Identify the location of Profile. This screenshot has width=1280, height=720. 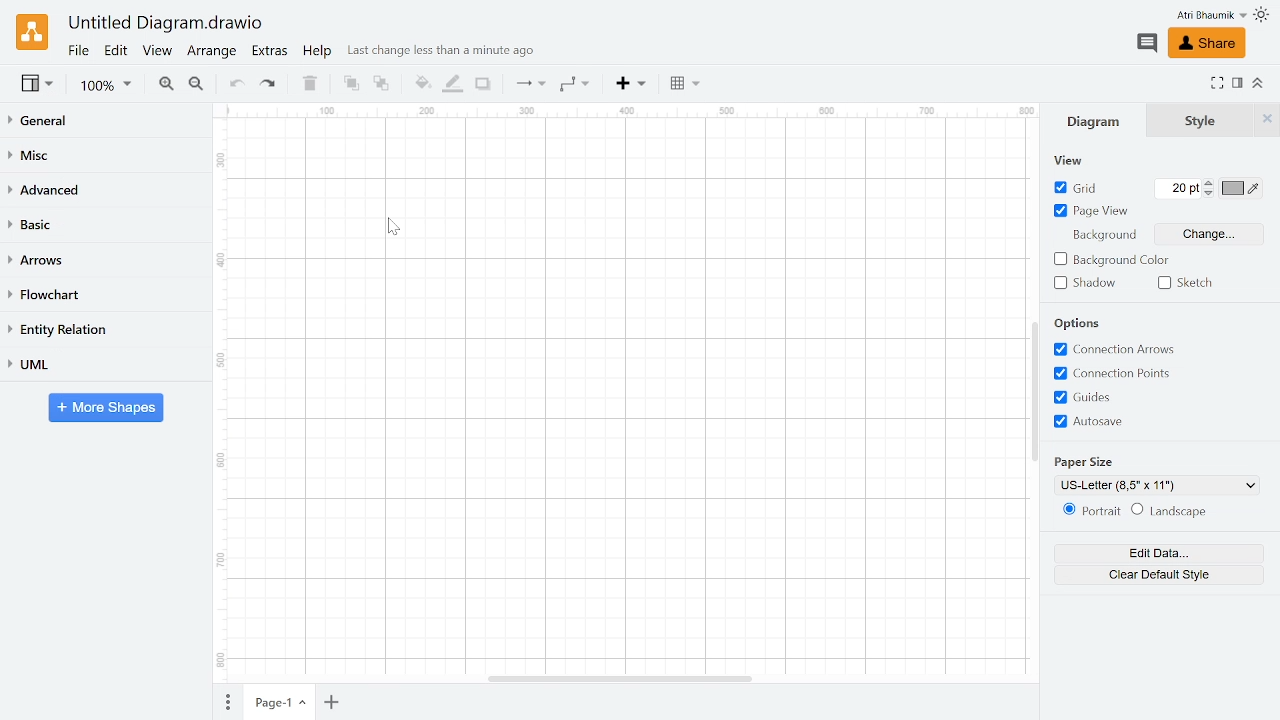
(1208, 15).